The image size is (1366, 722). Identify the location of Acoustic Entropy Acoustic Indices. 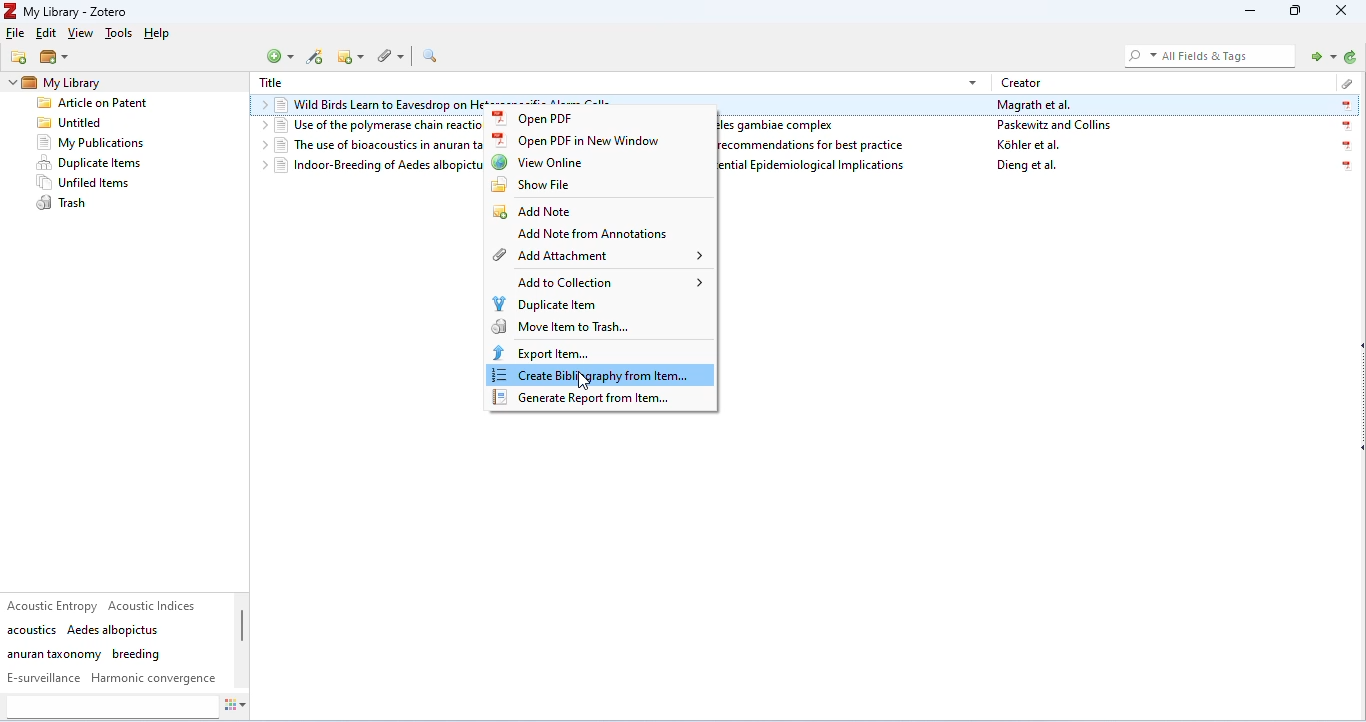
(105, 605).